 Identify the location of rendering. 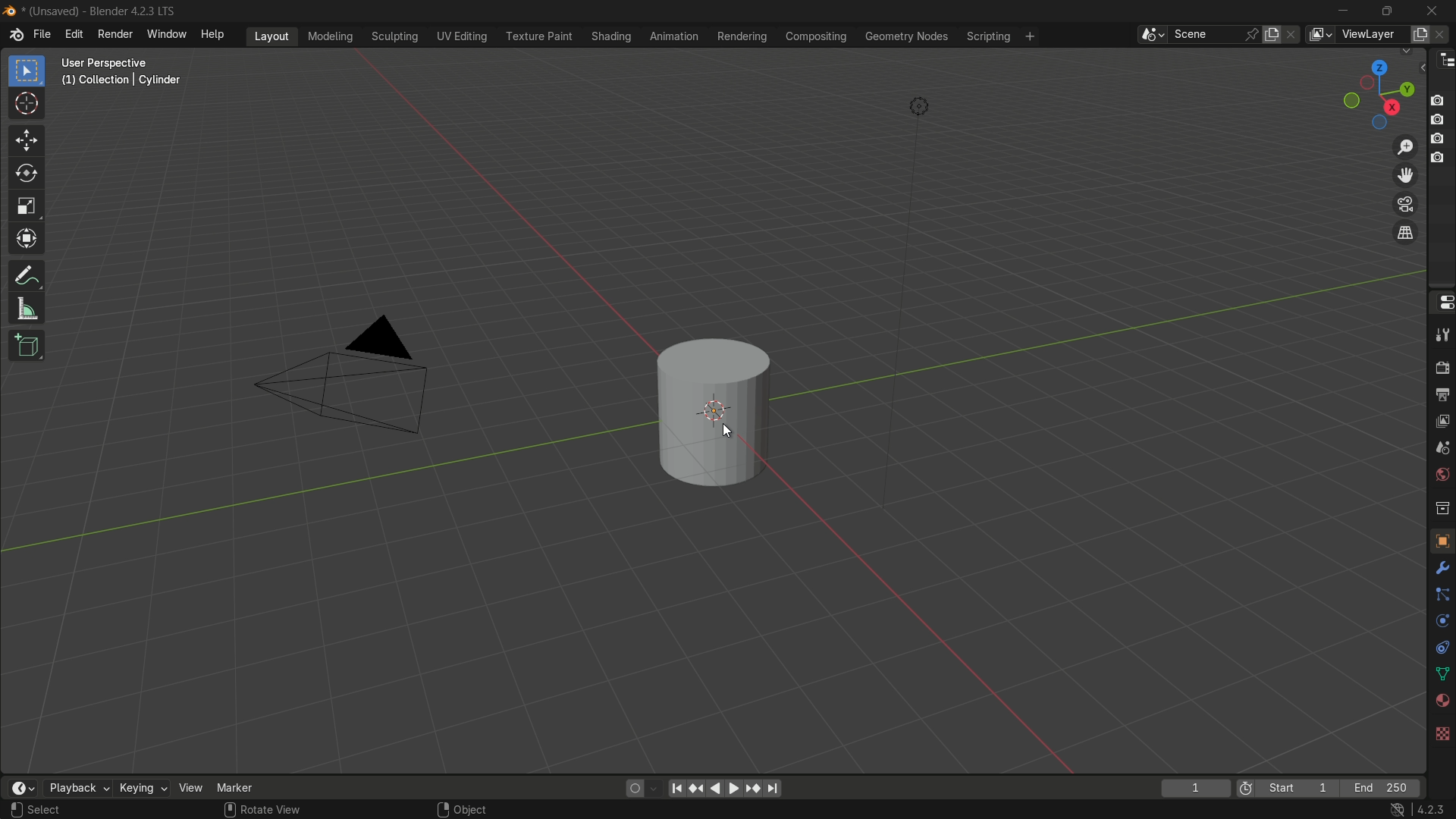
(741, 36).